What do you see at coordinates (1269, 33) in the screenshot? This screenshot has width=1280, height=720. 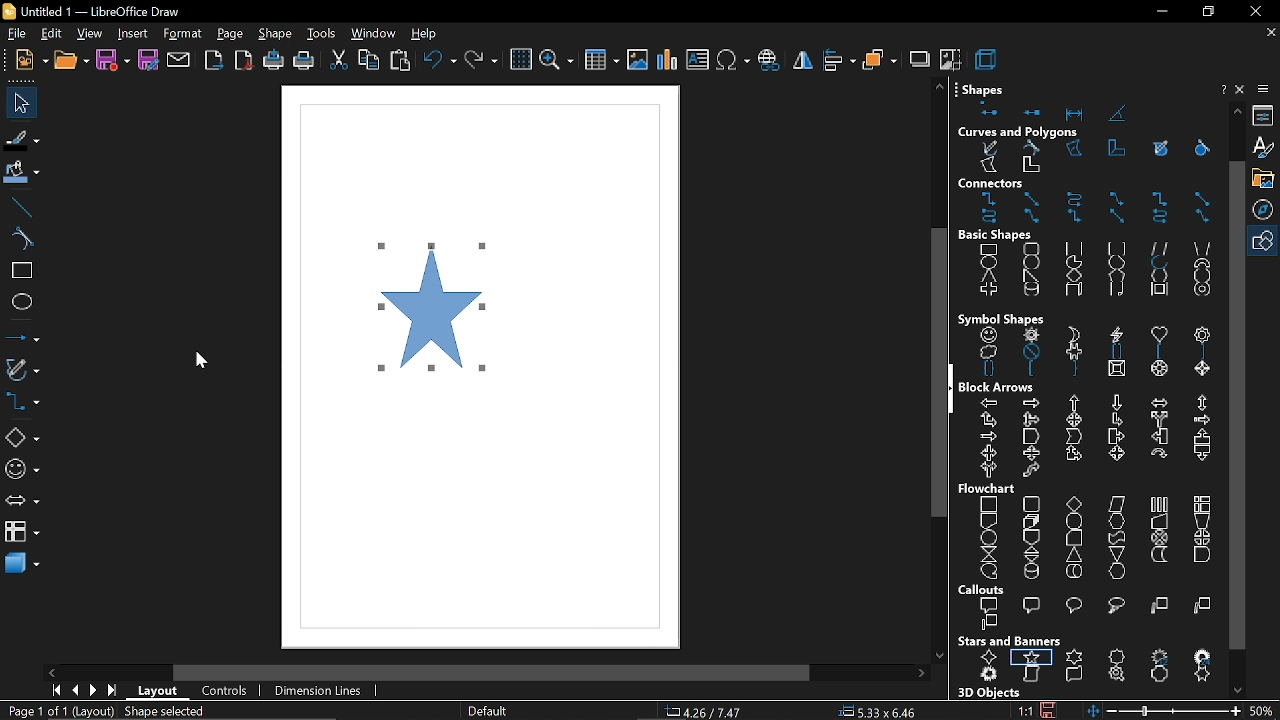 I see `close tab` at bounding box center [1269, 33].